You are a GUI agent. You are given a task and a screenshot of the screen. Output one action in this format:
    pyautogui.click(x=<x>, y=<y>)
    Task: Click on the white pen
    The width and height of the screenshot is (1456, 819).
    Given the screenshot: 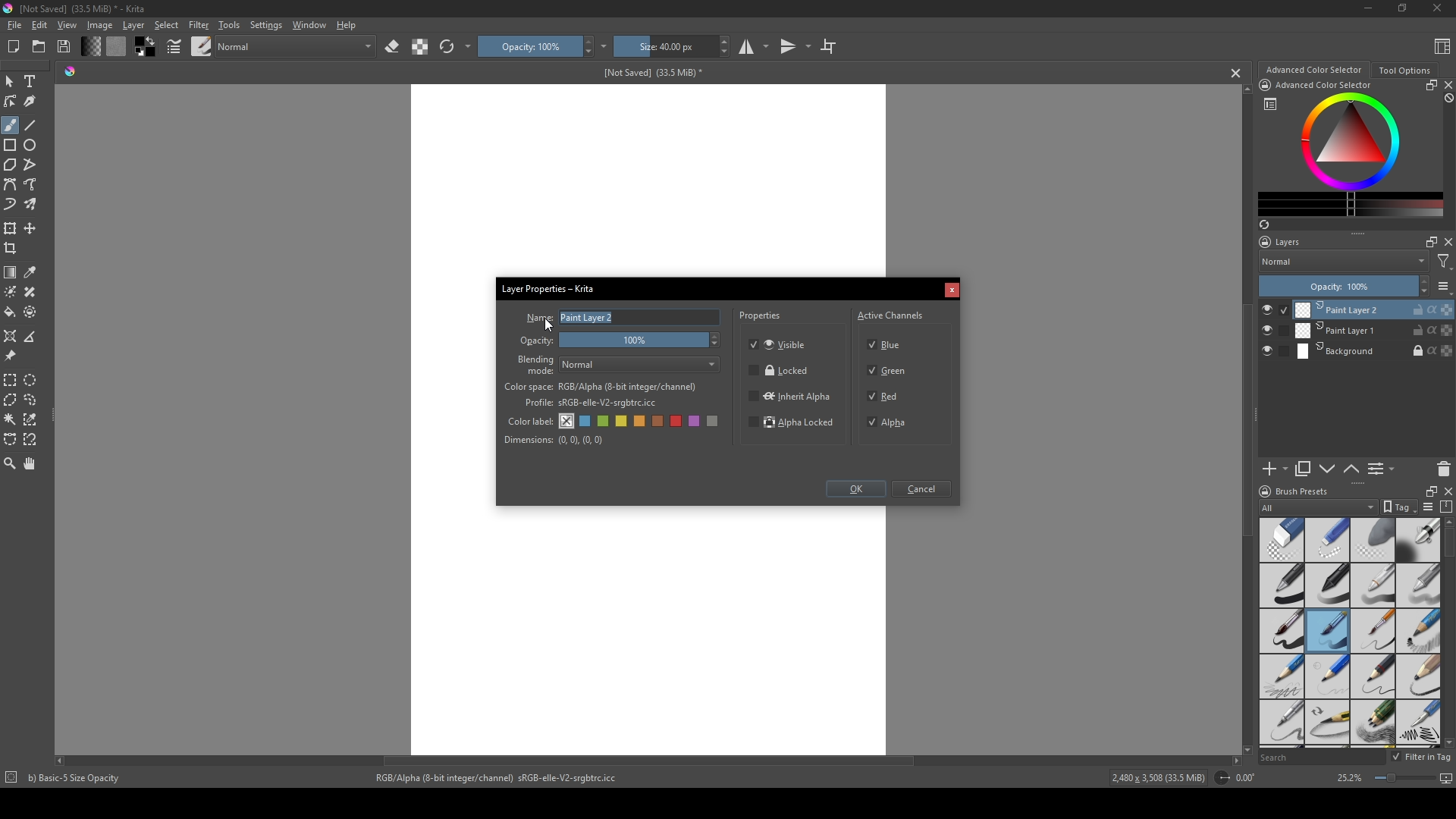 What is the action you would take?
    pyautogui.click(x=1373, y=585)
    